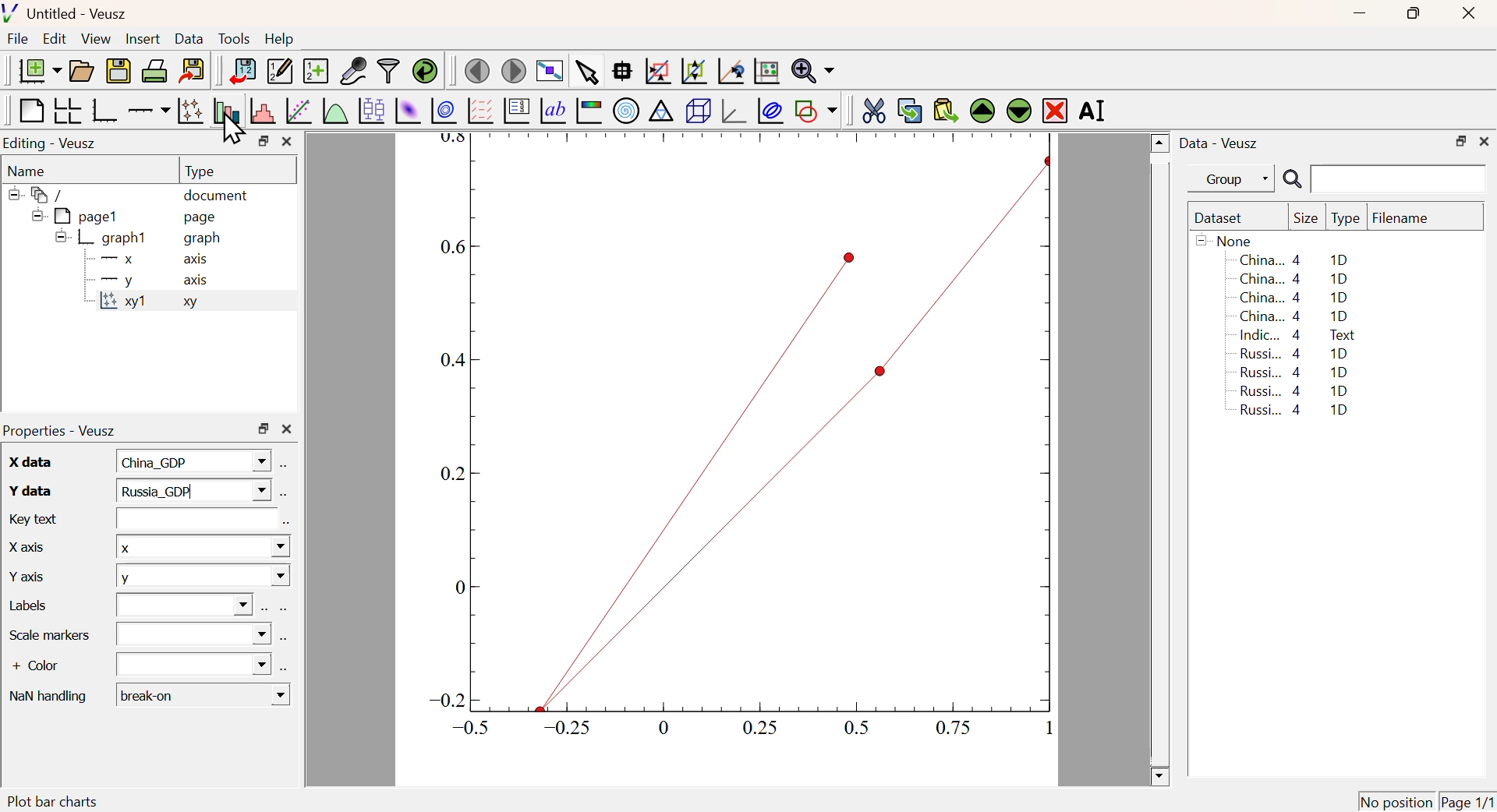 This screenshot has height=812, width=1497. I want to click on Draw rectangle to zoom graph axis, so click(656, 71).